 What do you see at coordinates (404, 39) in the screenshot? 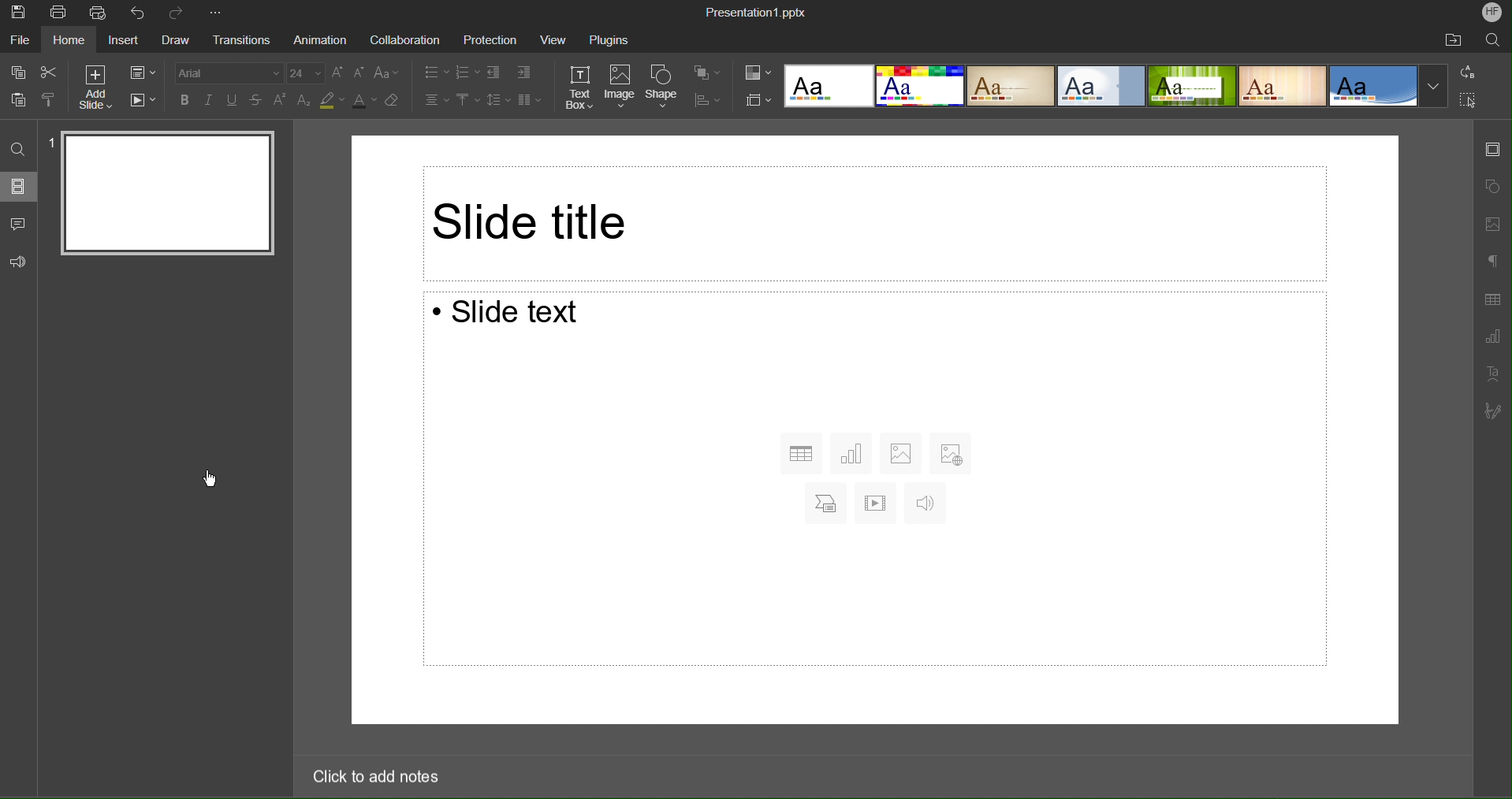
I see `Collaboration` at bounding box center [404, 39].